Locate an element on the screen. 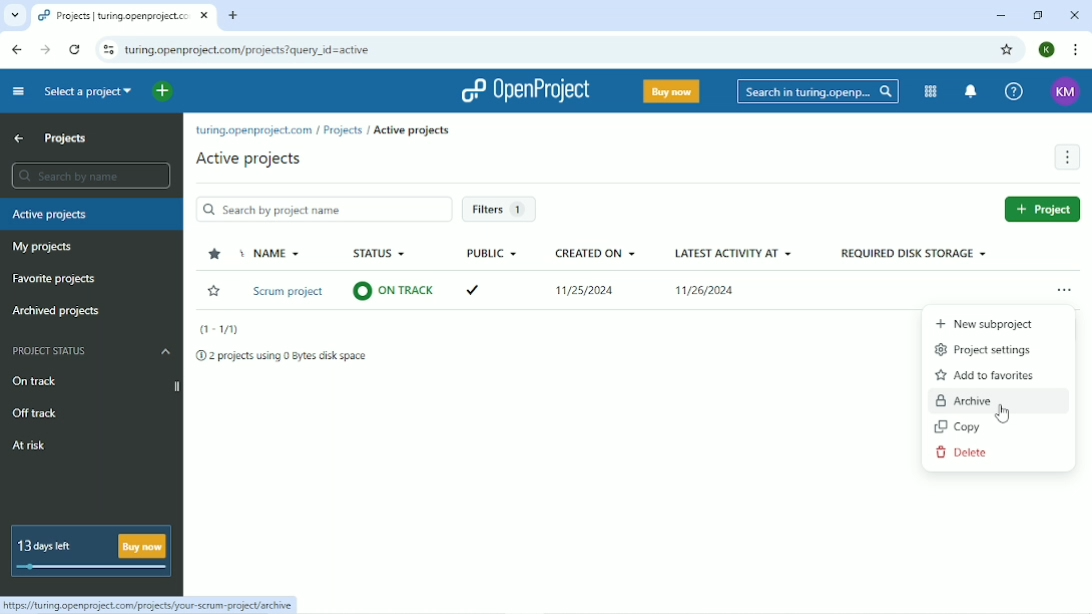 The width and height of the screenshot is (1092, 614). Back is located at coordinates (18, 49).